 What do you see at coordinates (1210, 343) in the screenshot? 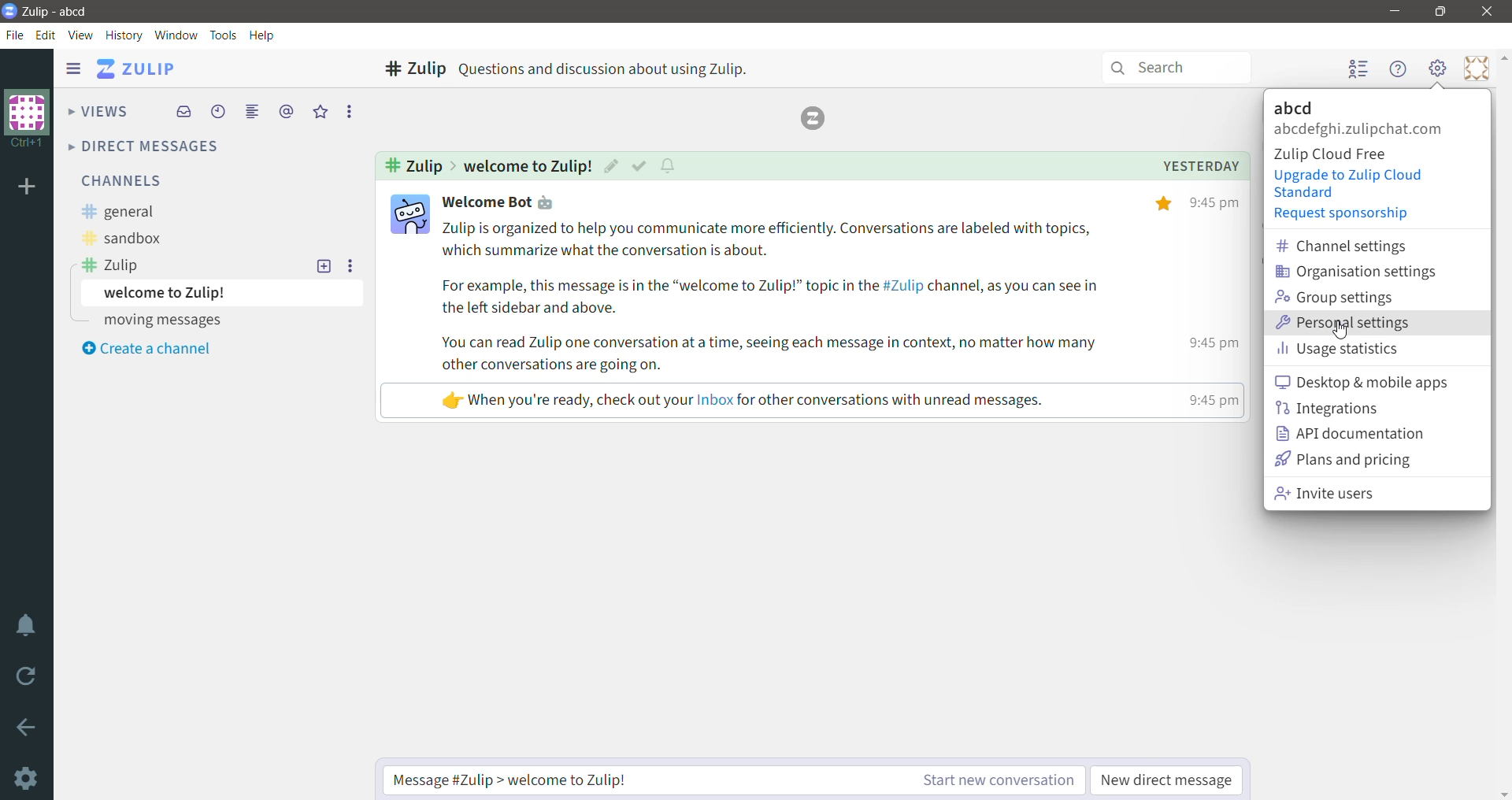
I see `9:45 pm |` at bounding box center [1210, 343].